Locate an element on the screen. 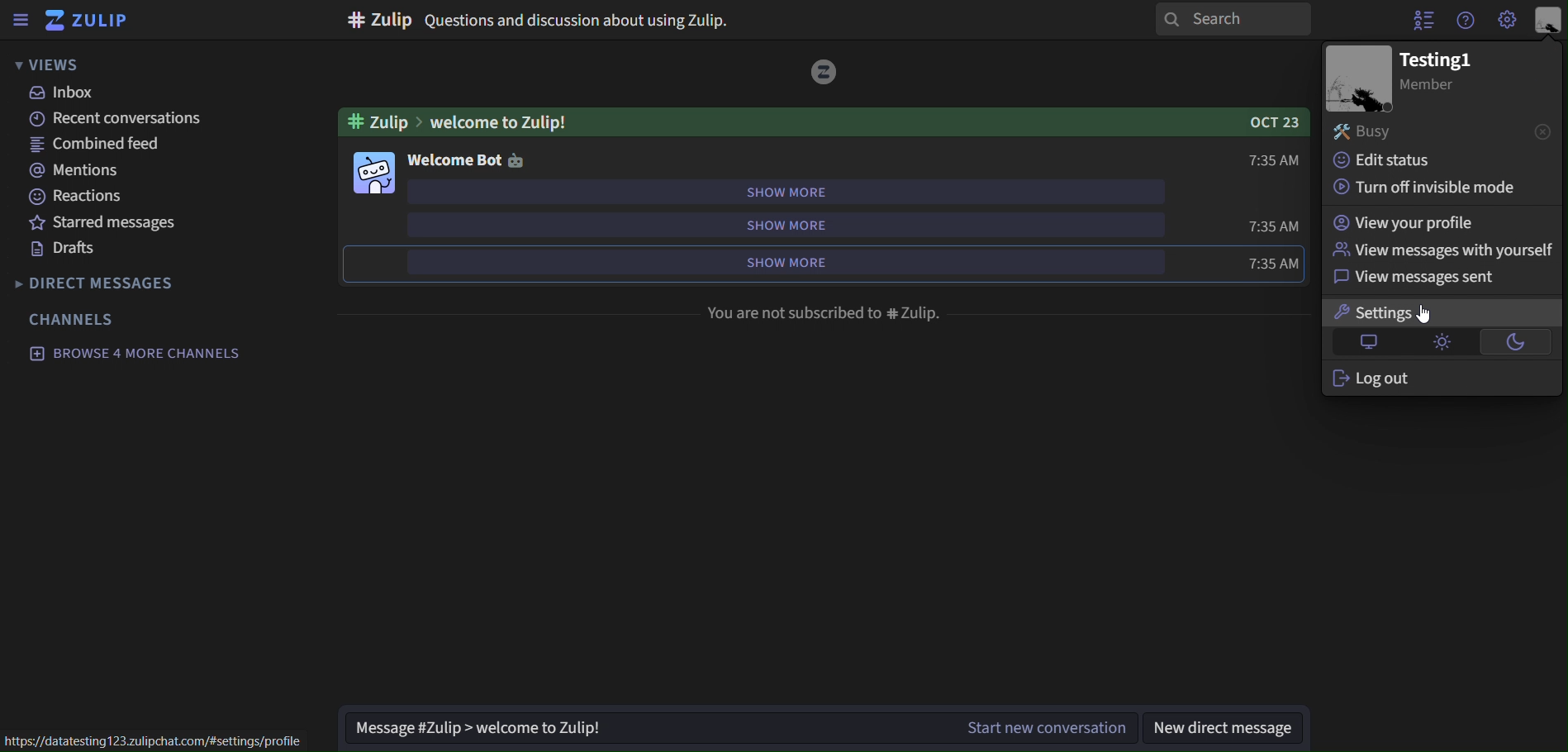 The height and width of the screenshot is (752, 1568). inbox is located at coordinates (62, 93).